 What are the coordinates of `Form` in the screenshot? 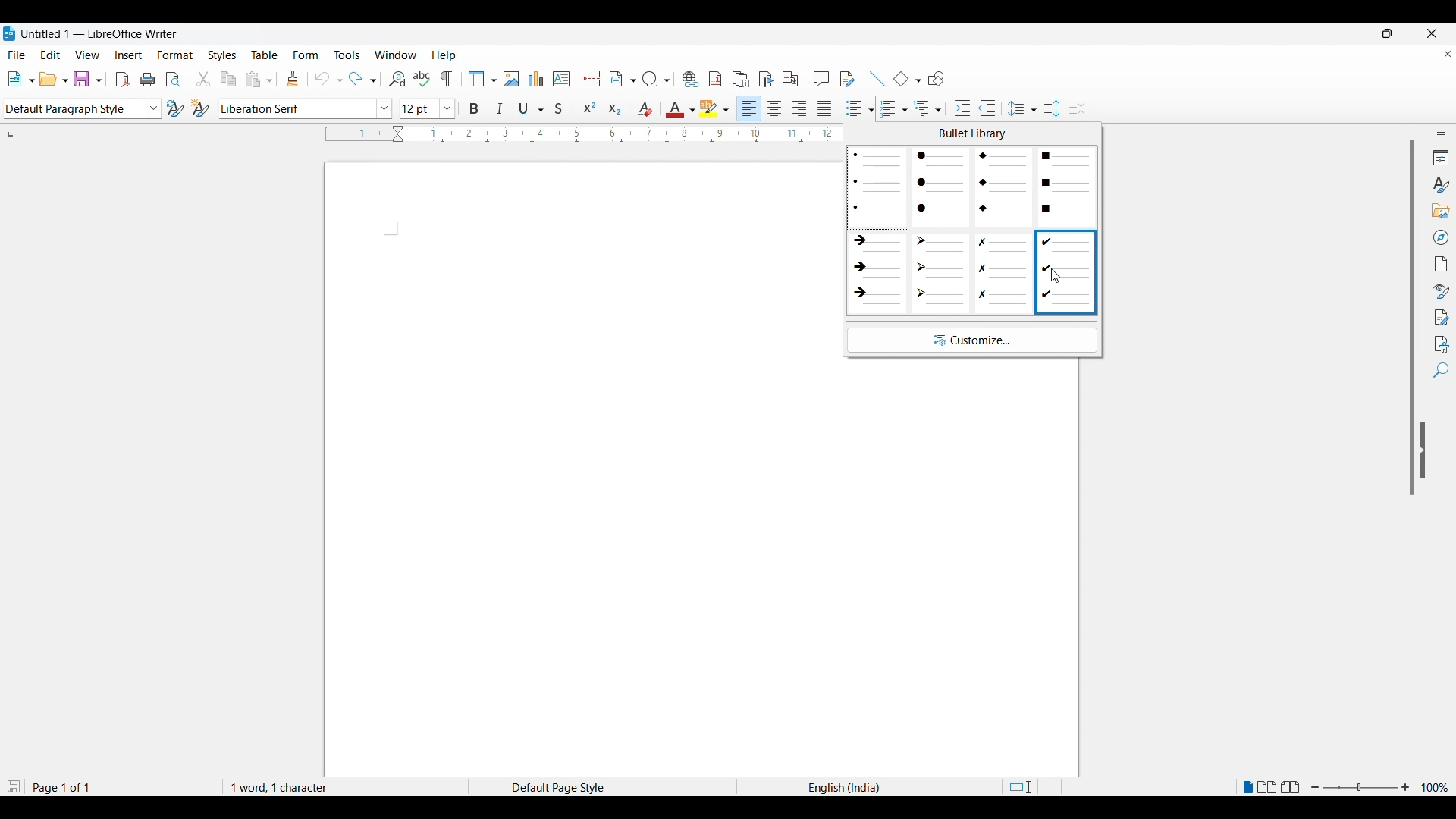 It's located at (306, 54).